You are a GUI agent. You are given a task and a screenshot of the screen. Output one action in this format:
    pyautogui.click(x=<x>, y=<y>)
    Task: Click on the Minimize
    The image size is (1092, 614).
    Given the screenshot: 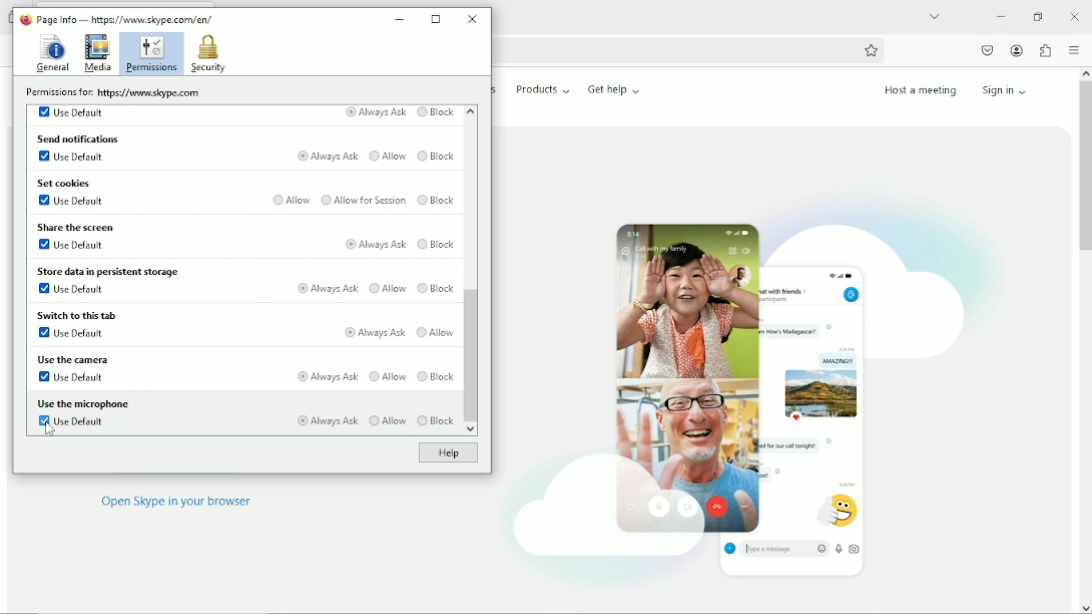 What is the action you would take?
    pyautogui.click(x=1000, y=16)
    